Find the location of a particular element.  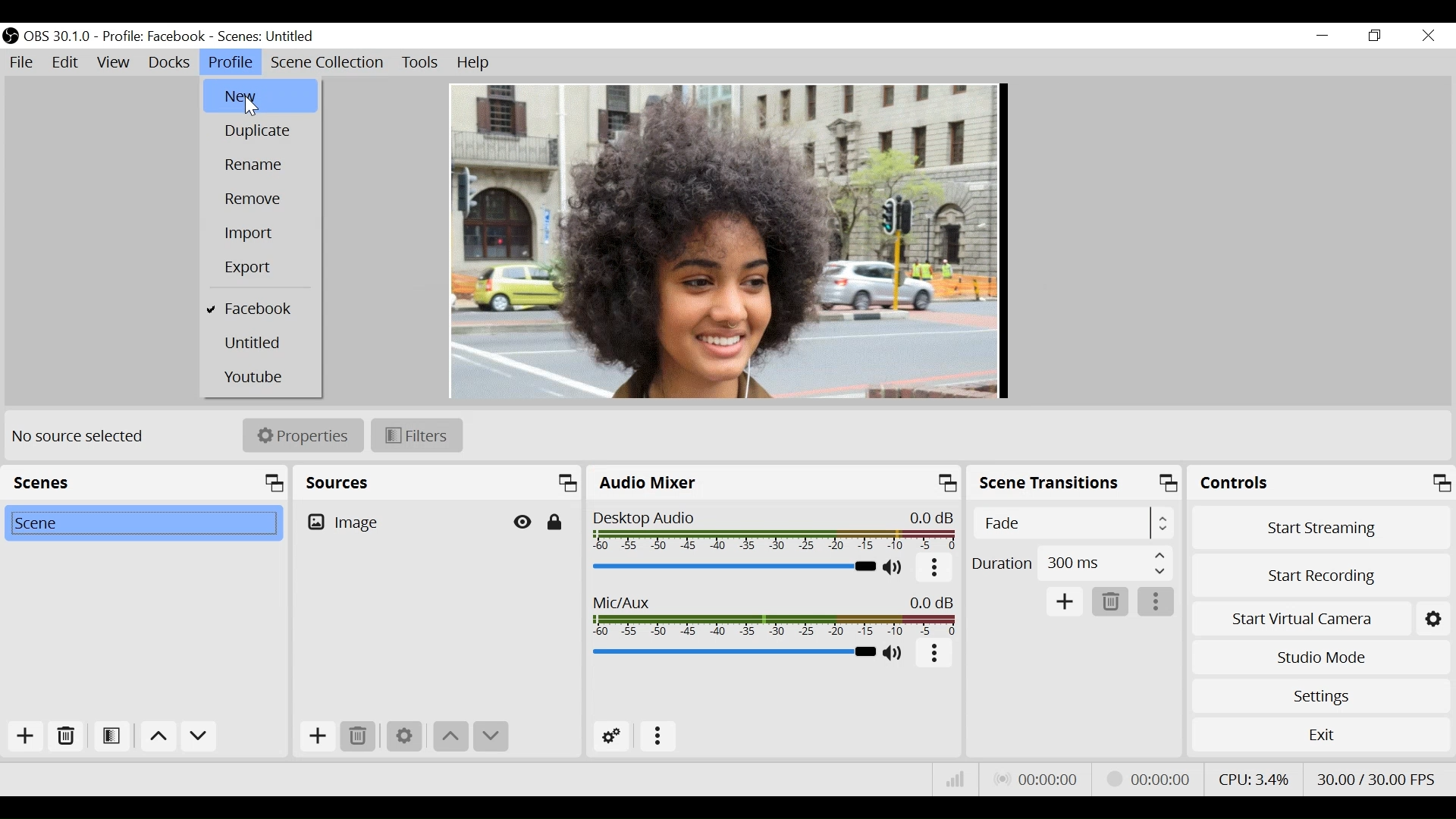

(un)mute is located at coordinates (897, 654).